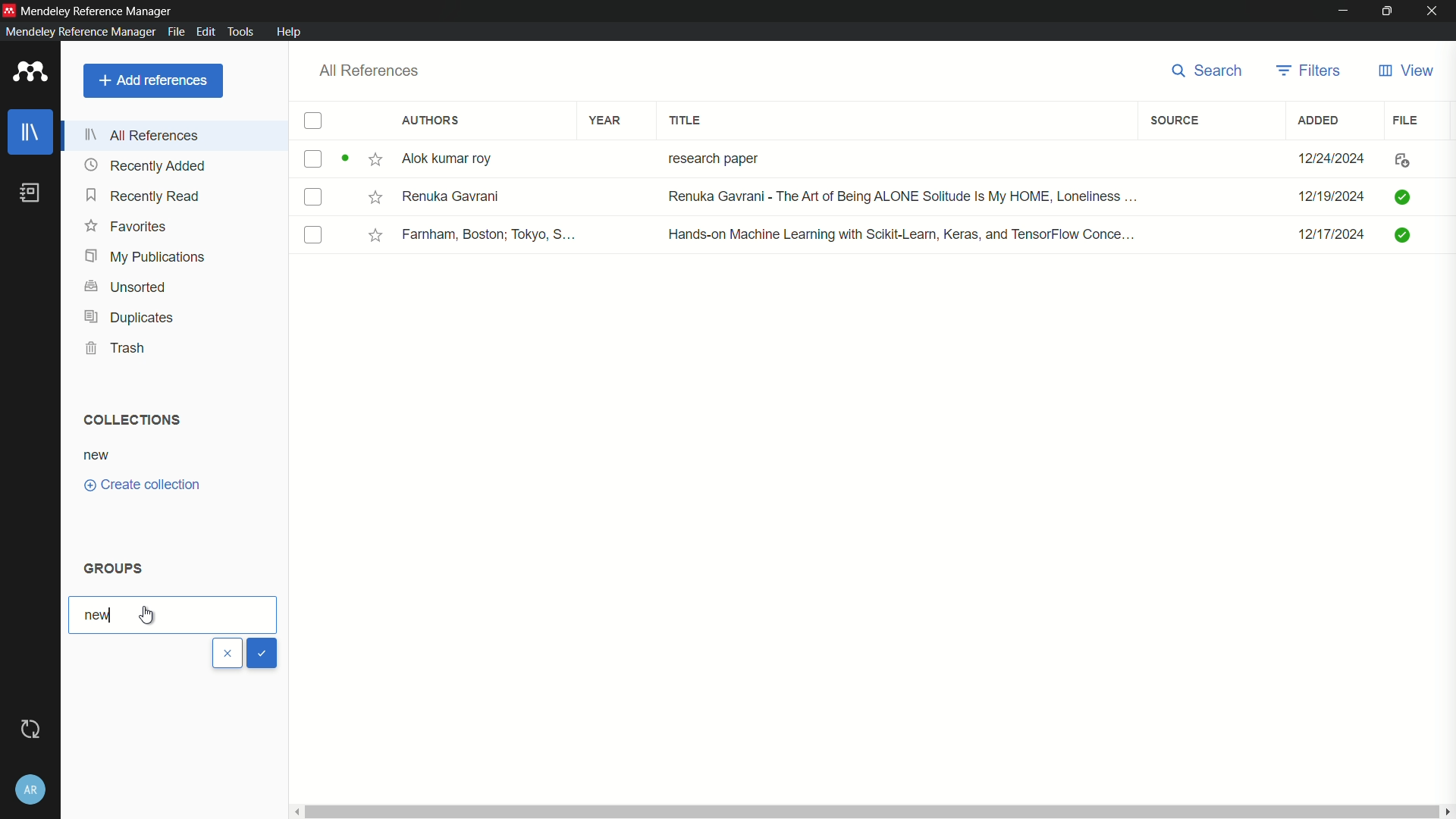 The height and width of the screenshot is (819, 1456). Describe the element at coordinates (1329, 197) in the screenshot. I see `Date` at that location.